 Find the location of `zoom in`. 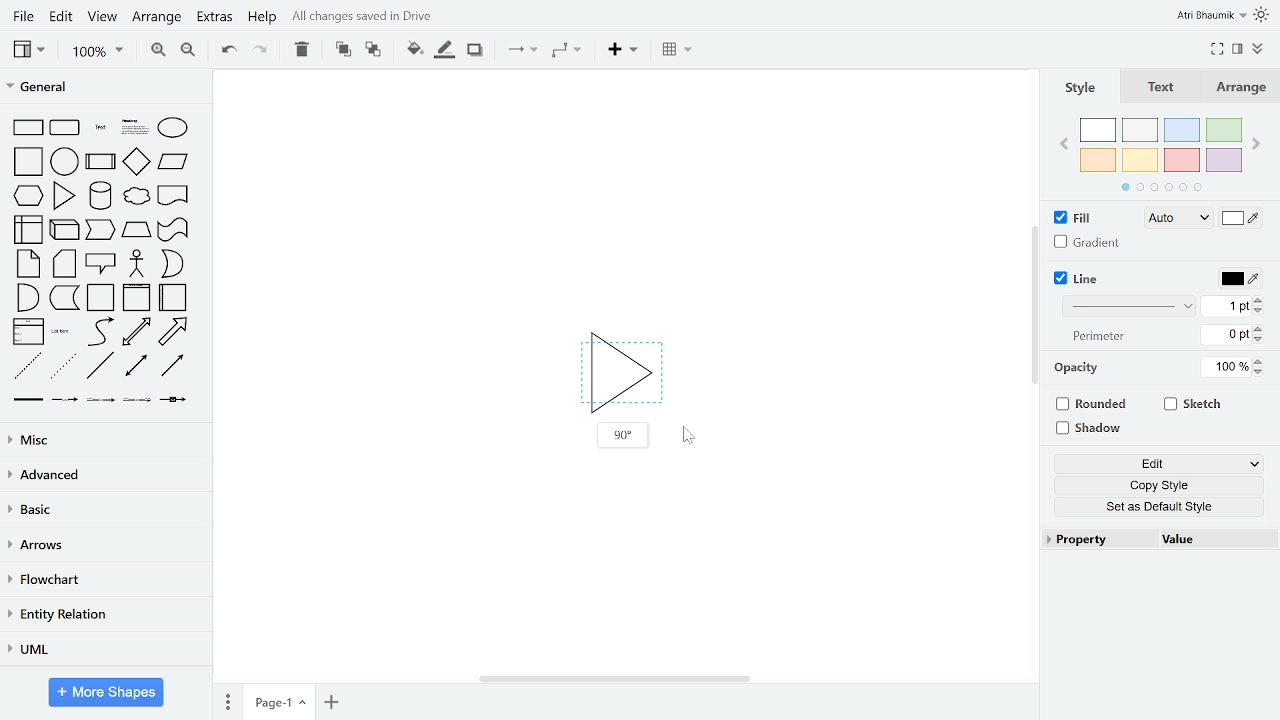

zoom in is located at coordinates (160, 51).